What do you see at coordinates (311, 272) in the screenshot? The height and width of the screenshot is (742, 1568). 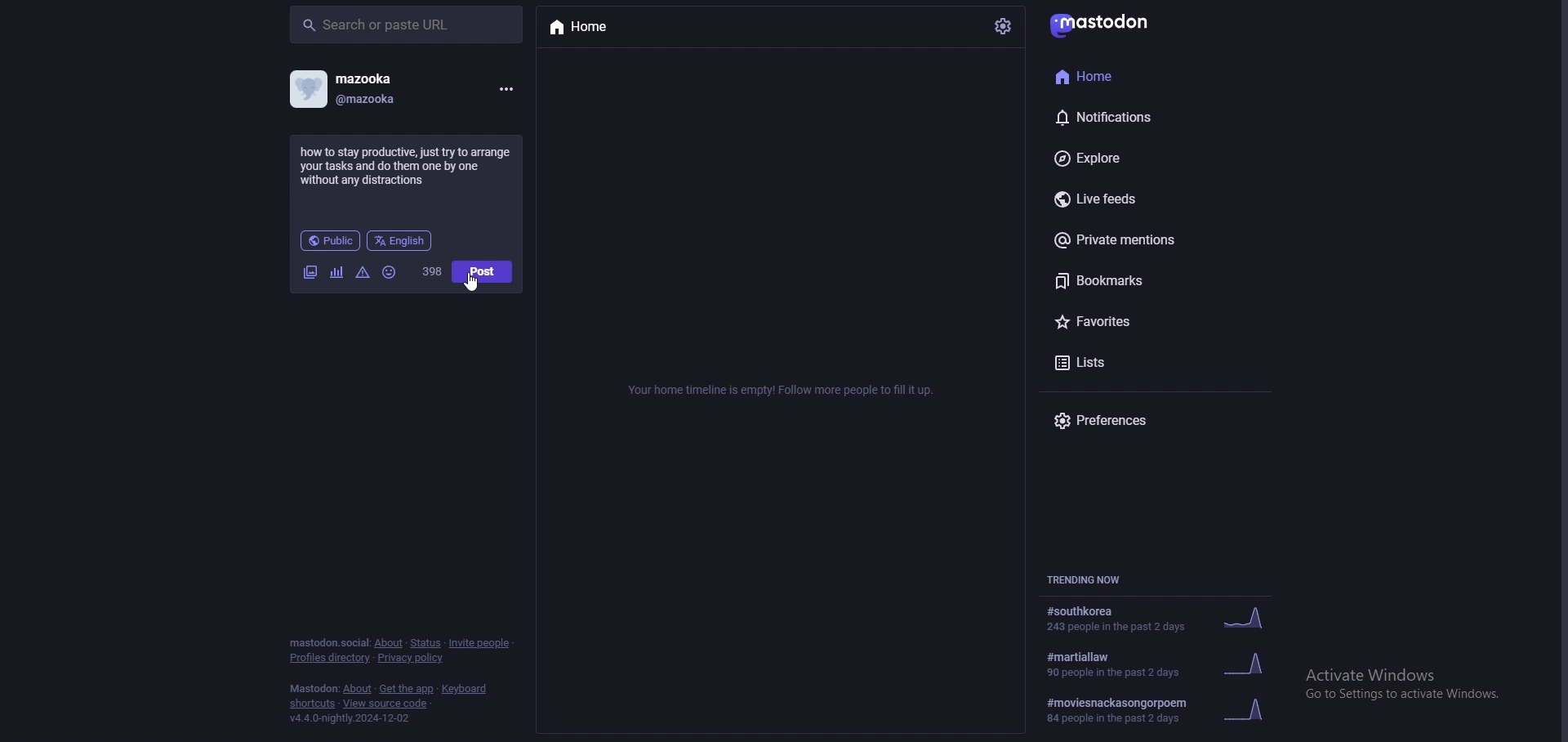 I see `image` at bounding box center [311, 272].